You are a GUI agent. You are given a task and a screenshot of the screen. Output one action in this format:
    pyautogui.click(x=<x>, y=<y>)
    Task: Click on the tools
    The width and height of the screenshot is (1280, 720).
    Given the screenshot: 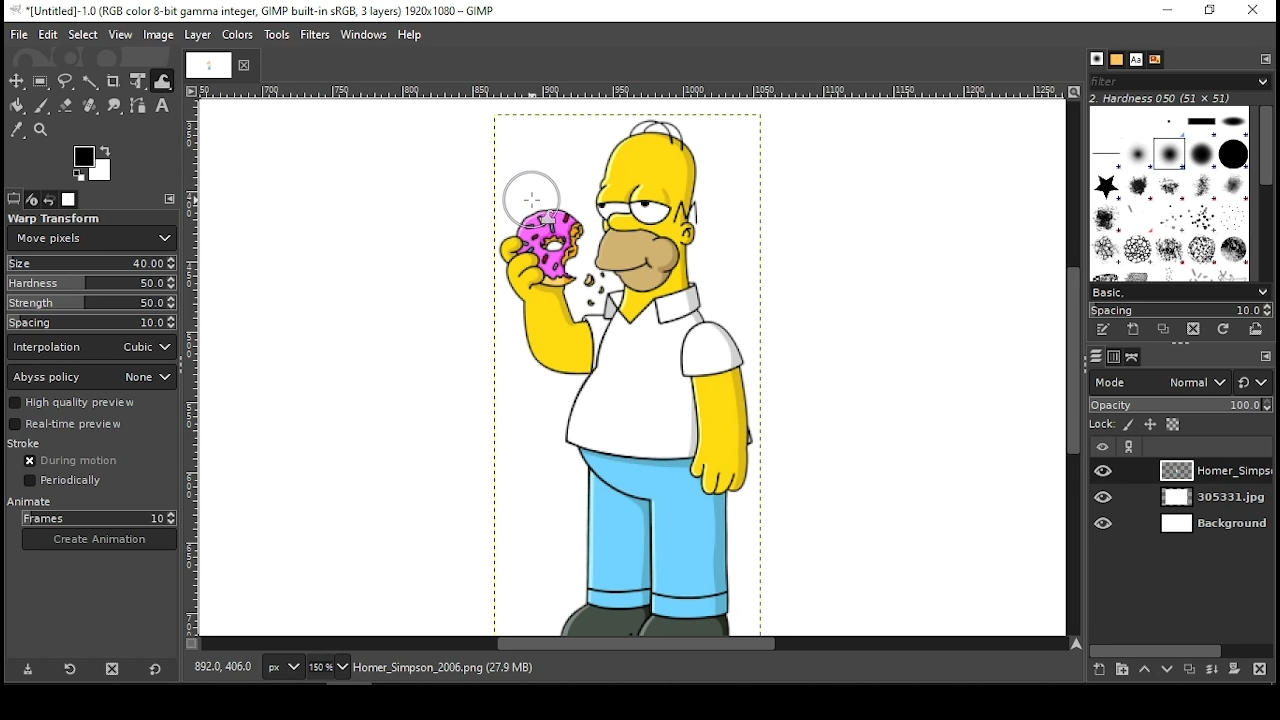 What is the action you would take?
    pyautogui.click(x=278, y=34)
    